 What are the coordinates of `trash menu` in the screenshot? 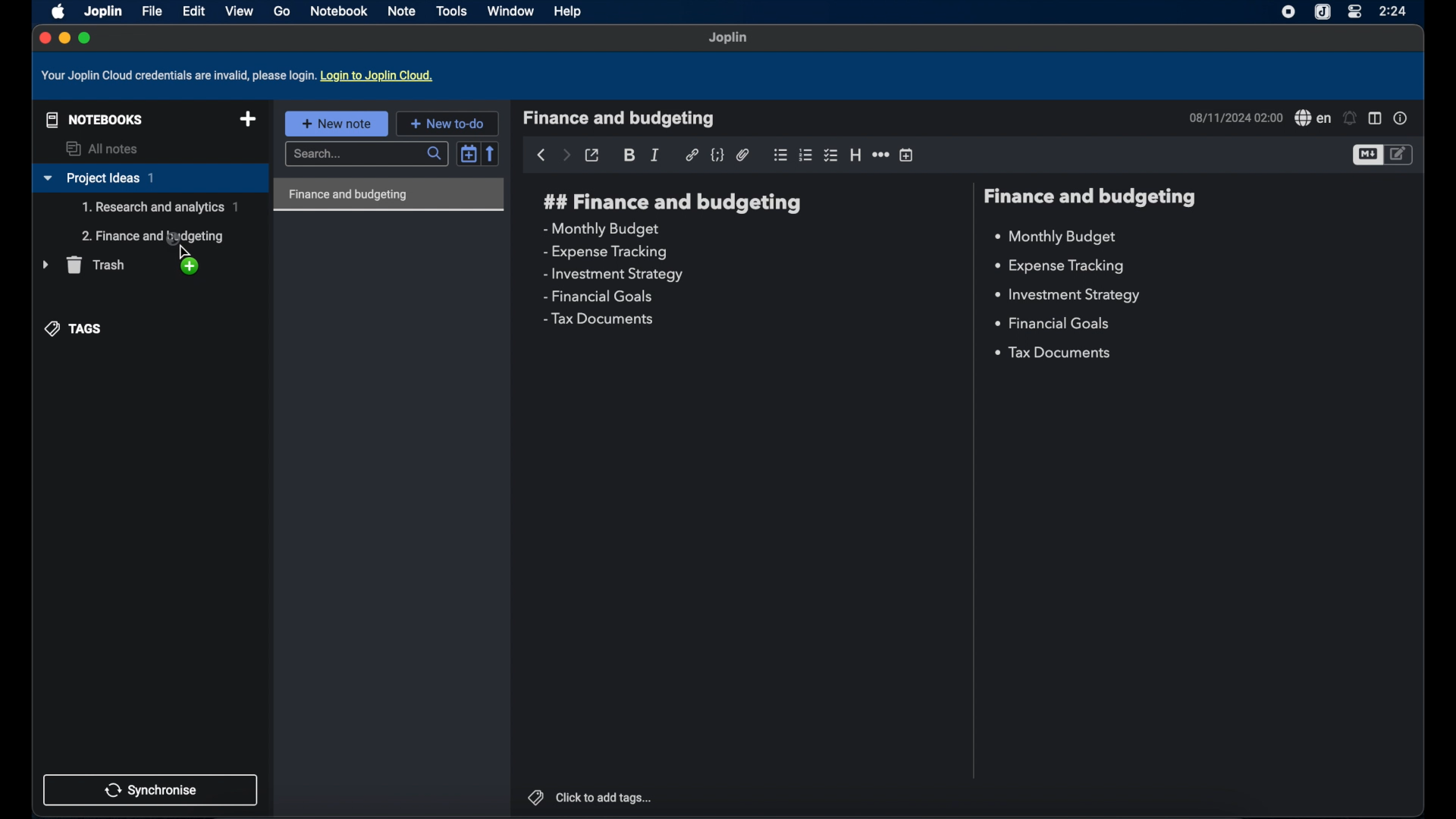 It's located at (83, 265).